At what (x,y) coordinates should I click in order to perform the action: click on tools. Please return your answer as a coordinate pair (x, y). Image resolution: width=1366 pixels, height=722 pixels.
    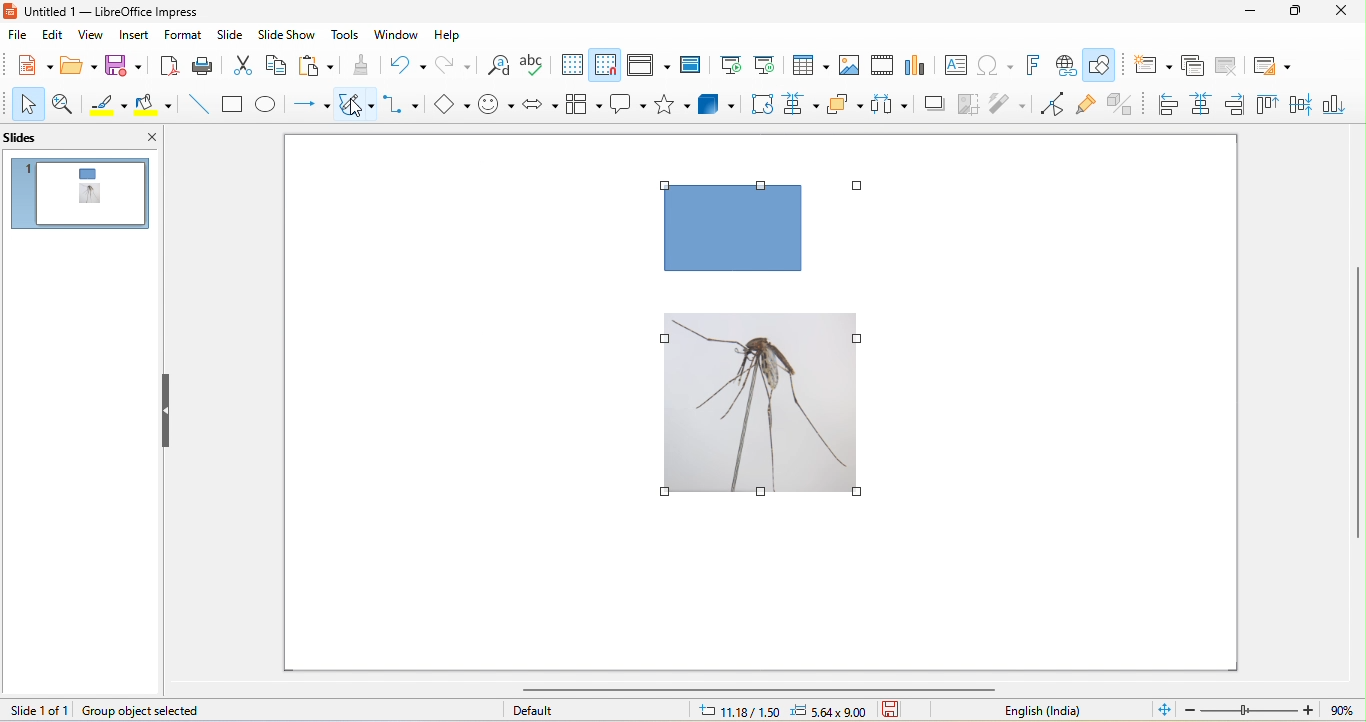
    Looking at the image, I should click on (347, 37).